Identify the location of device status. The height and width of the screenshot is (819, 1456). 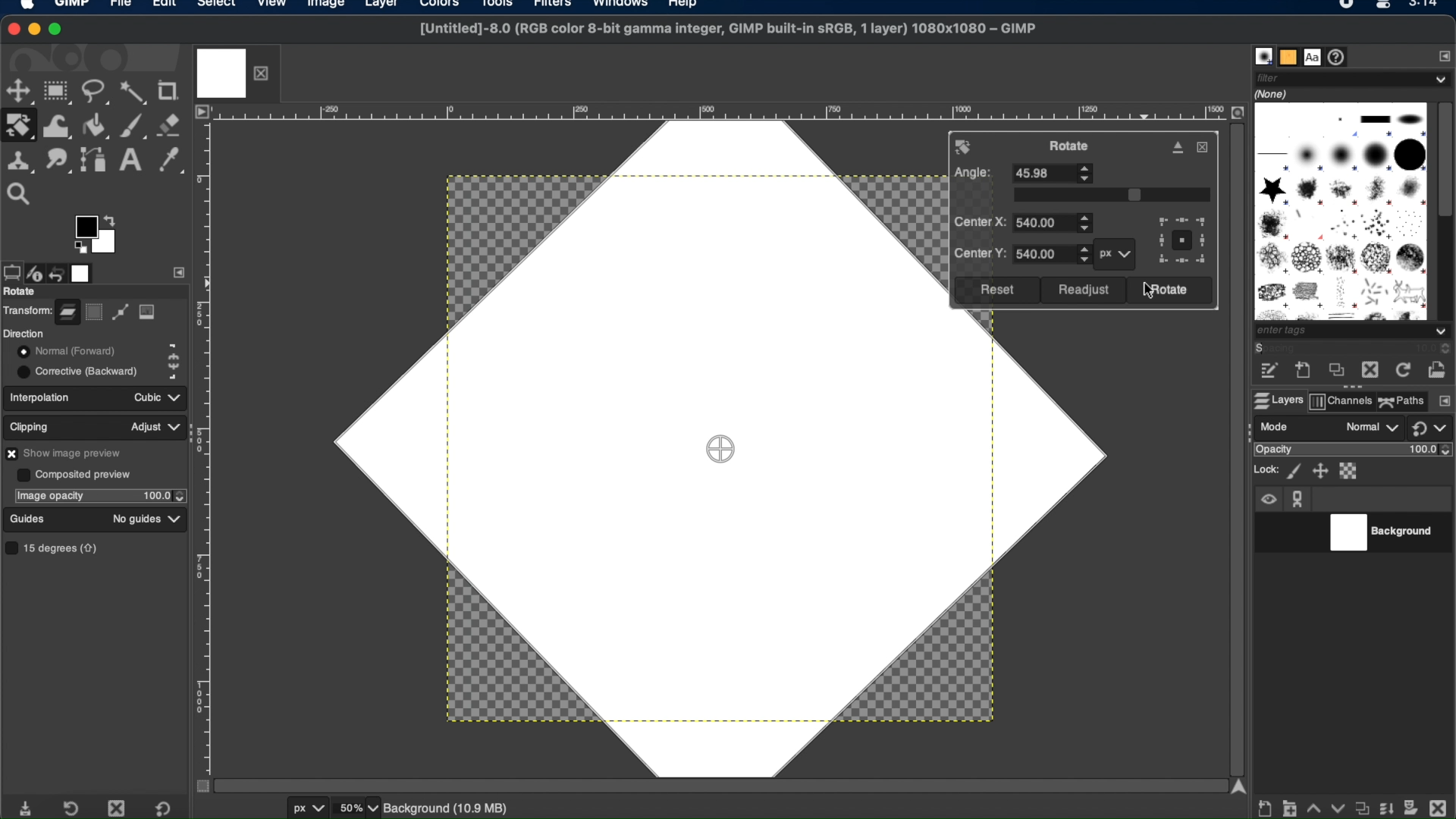
(36, 271).